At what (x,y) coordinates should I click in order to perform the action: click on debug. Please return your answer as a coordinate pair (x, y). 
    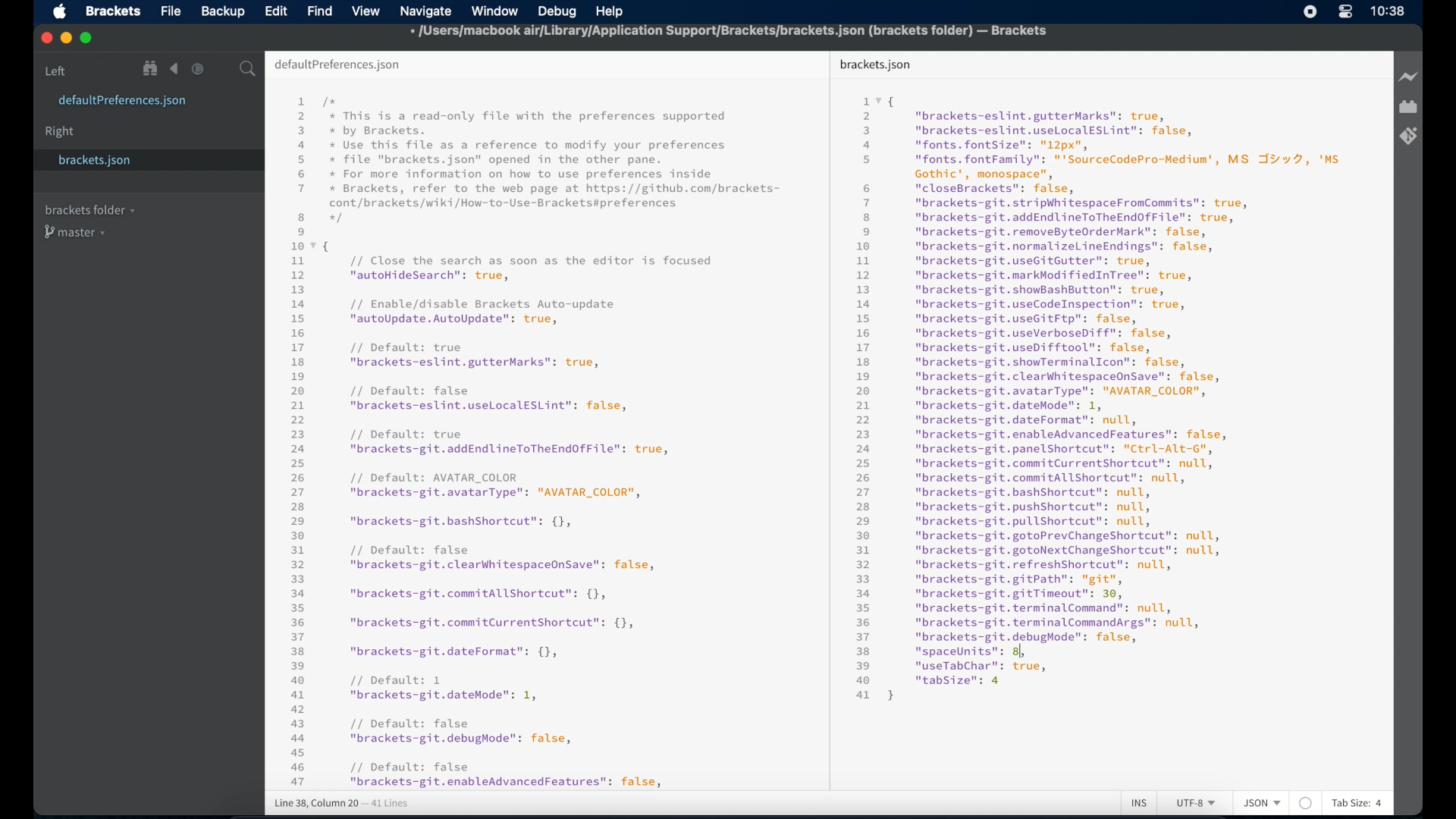
    Looking at the image, I should click on (557, 11).